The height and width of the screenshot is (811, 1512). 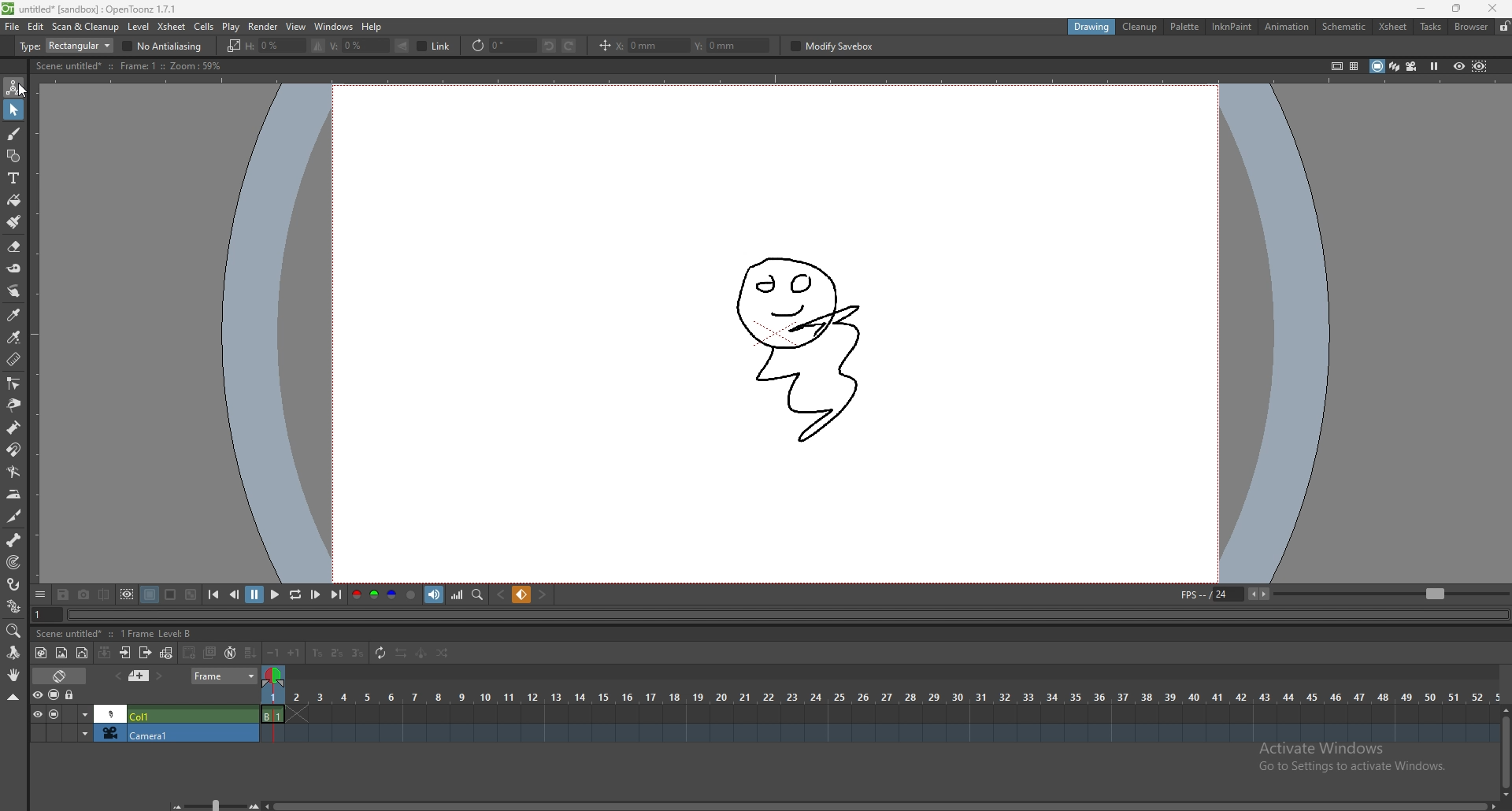 I want to click on repeat, so click(x=379, y=654).